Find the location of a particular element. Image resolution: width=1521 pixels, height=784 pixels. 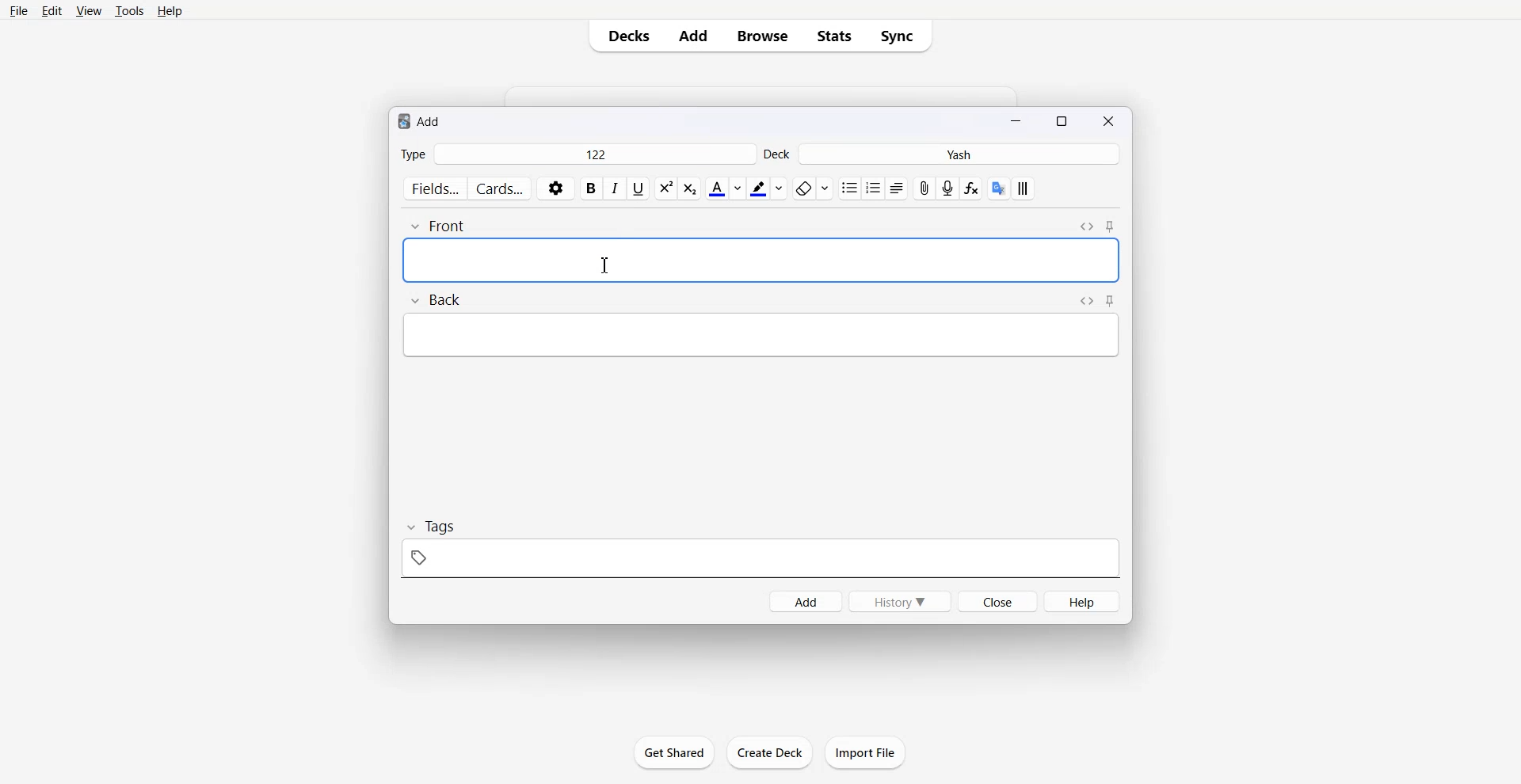

Equation is located at coordinates (972, 189).